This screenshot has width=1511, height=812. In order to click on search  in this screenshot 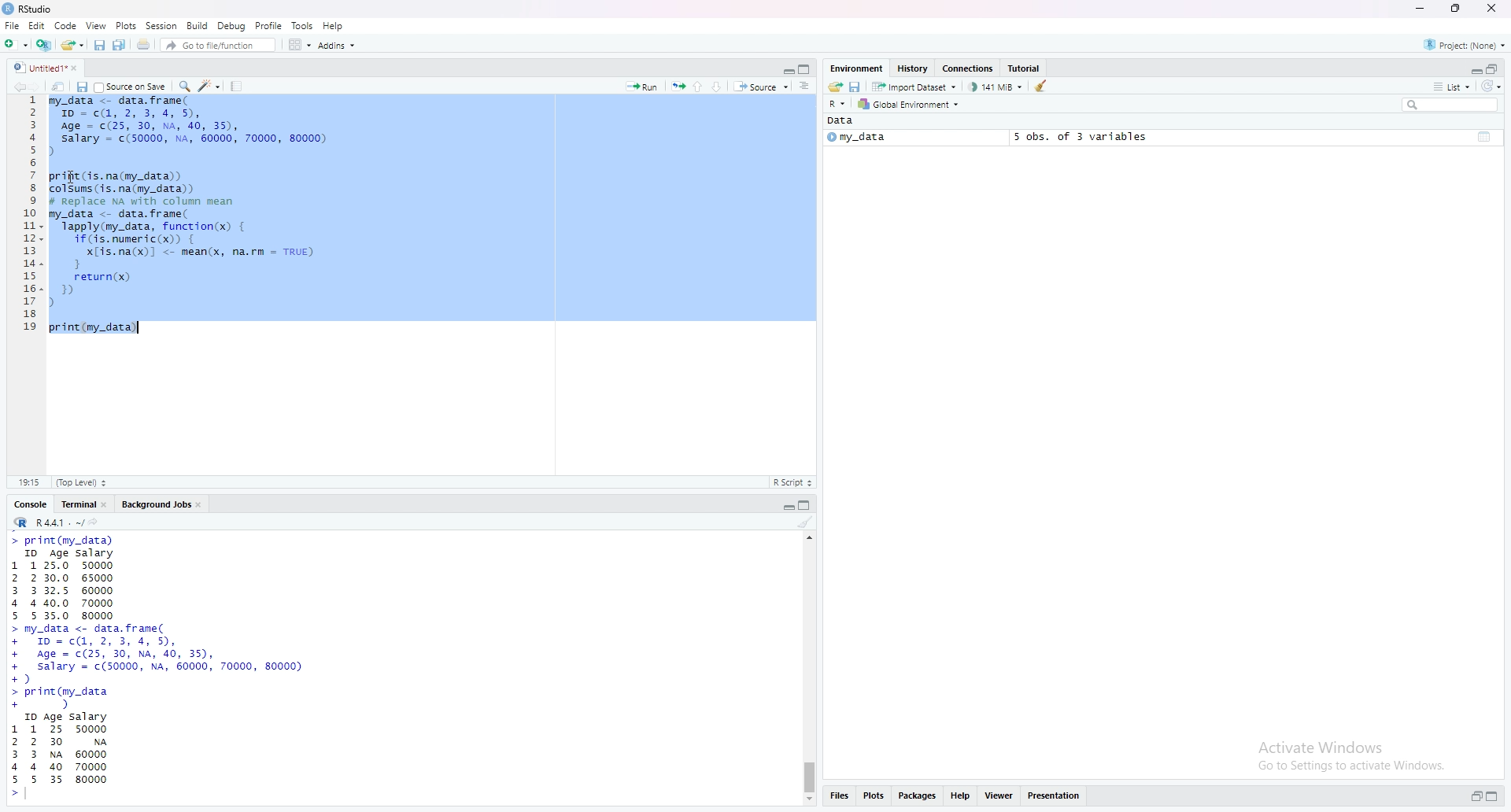, I will do `click(1451, 106)`.